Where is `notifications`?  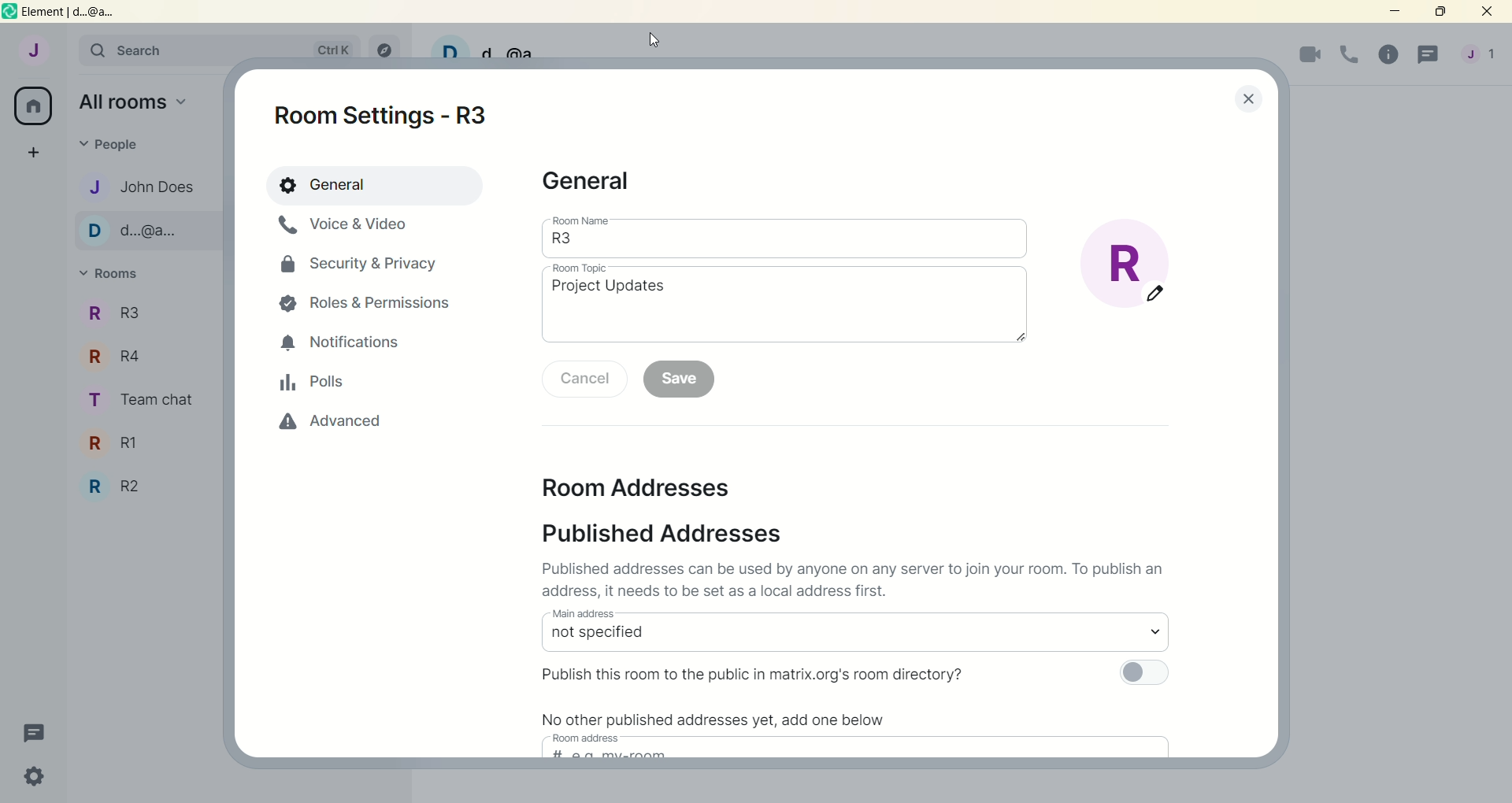
notifications is located at coordinates (341, 346).